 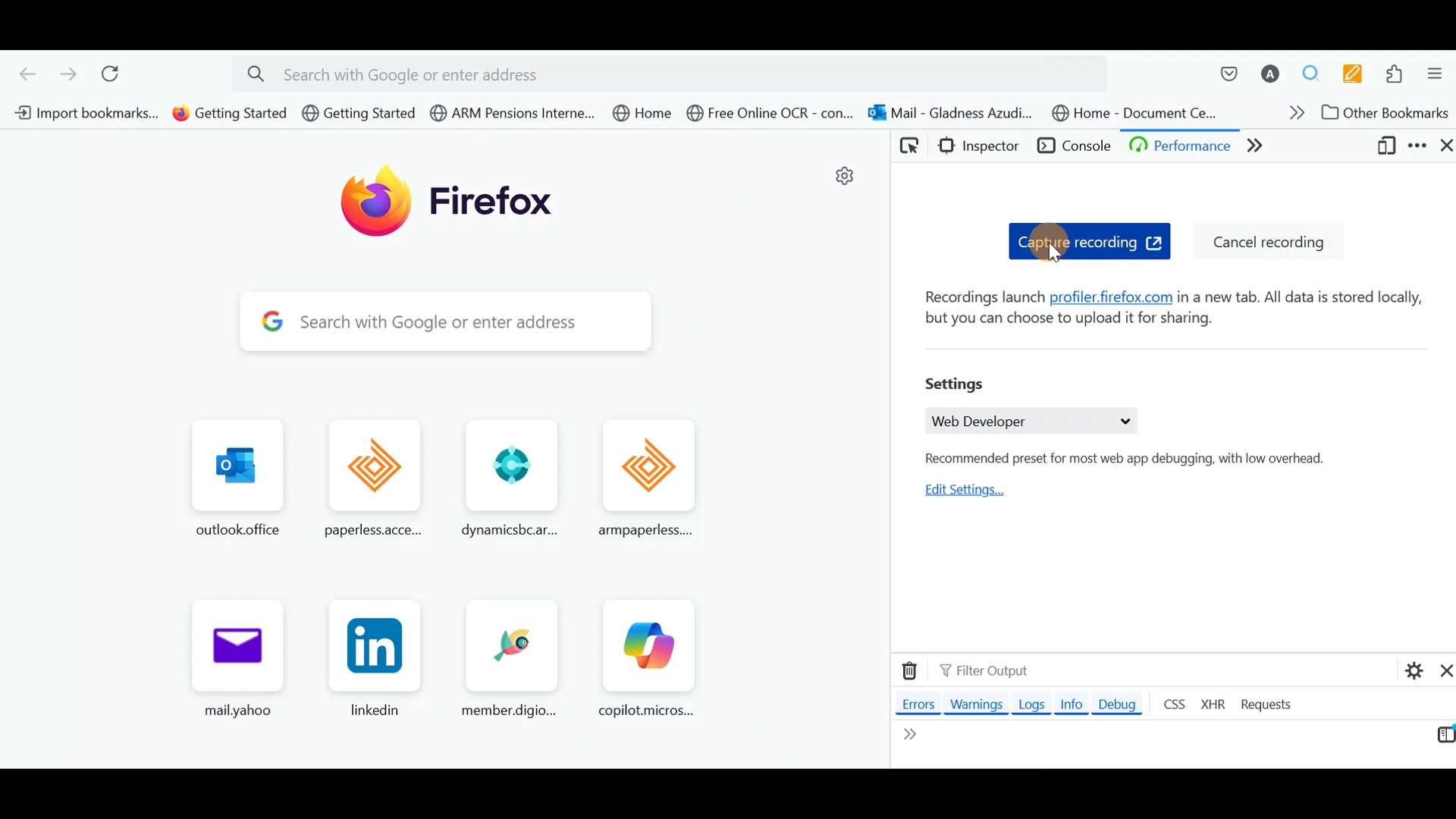 What do you see at coordinates (849, 180) in the screenshot?
I see `settings` at bounding box center [849, 180].